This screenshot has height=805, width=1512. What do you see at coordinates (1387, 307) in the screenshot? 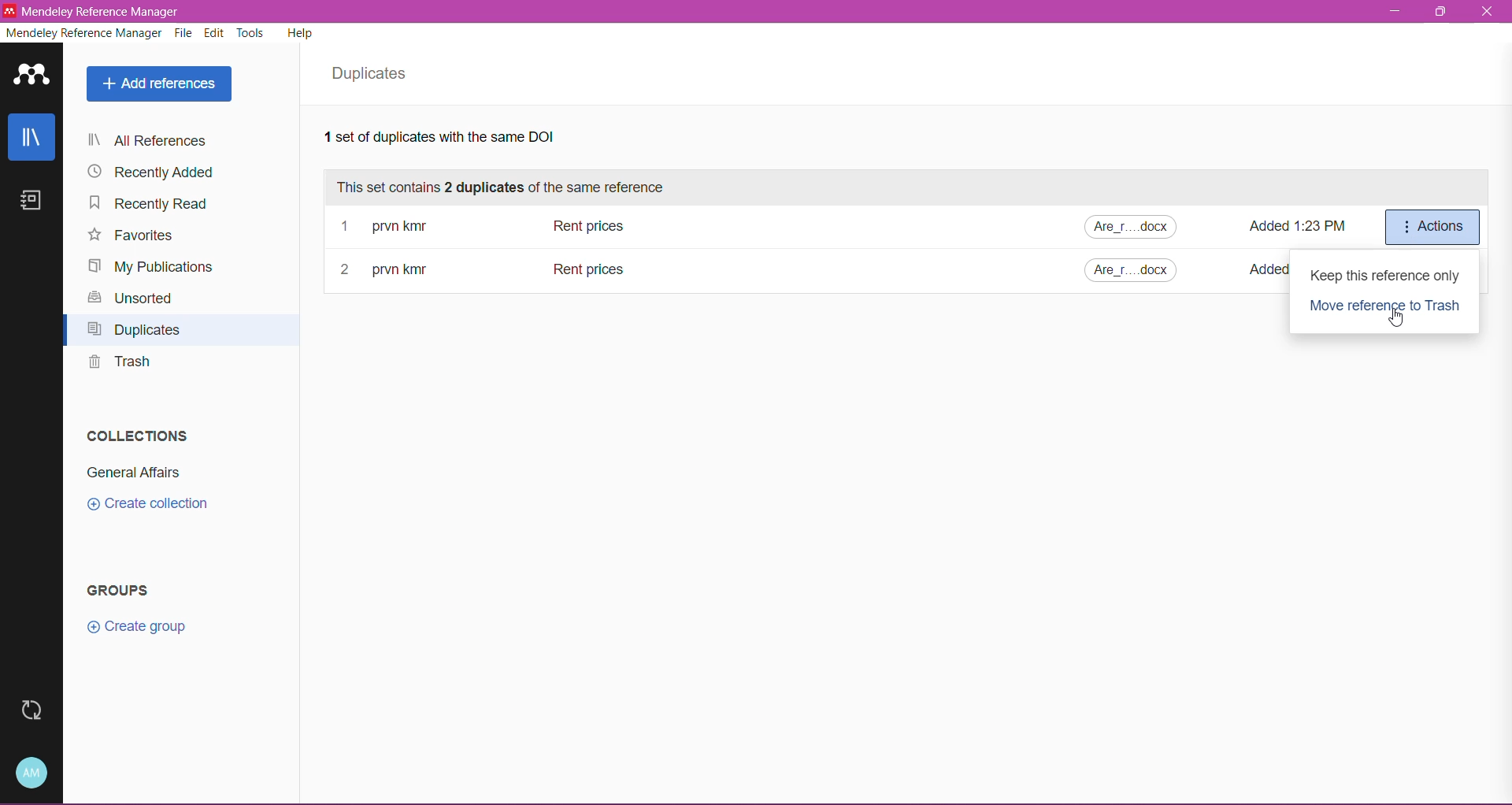
I see `Move reference to Trash` at bounding box center [1387, 307].